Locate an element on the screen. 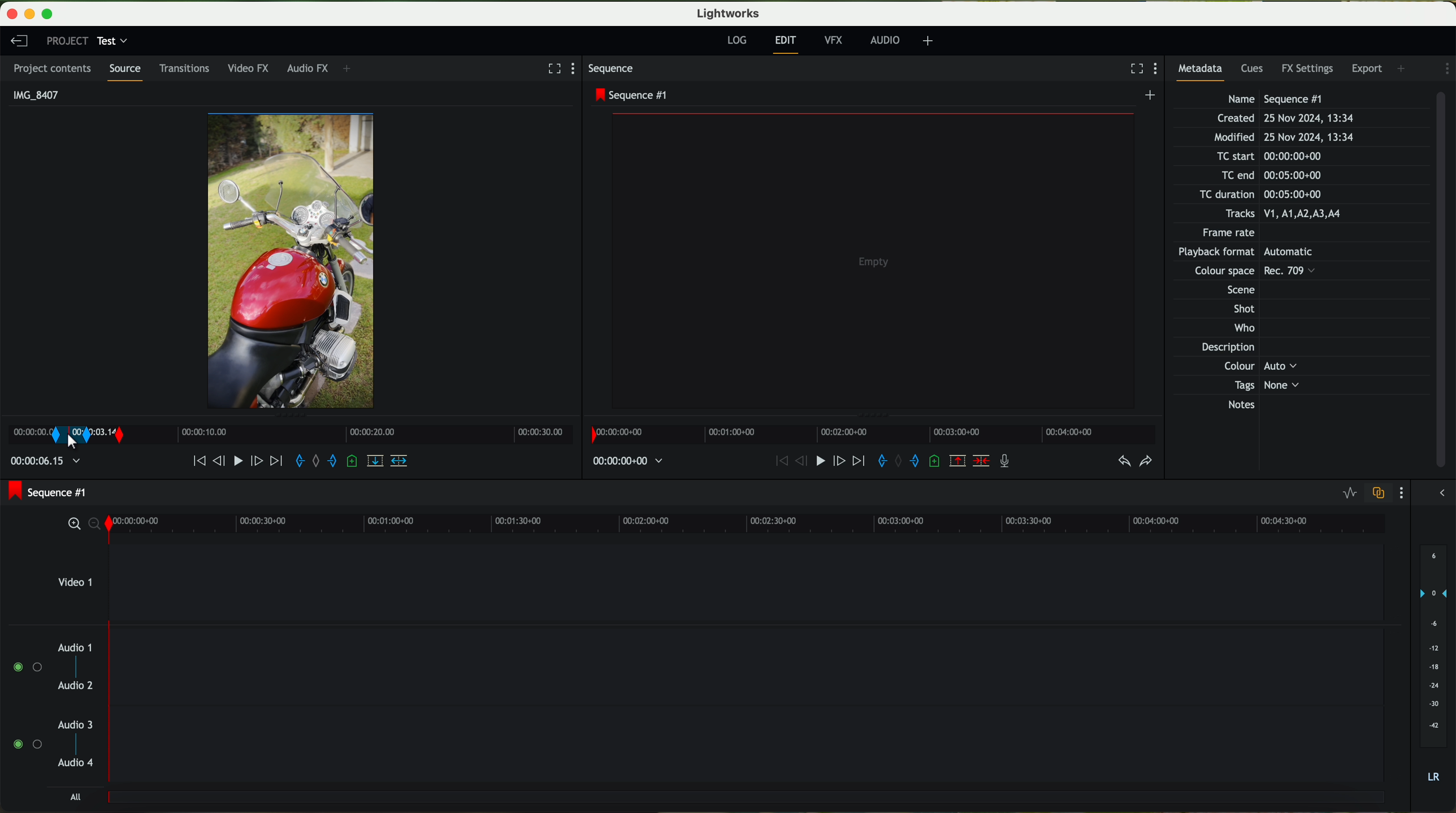 The height and width of the screenshot is (813, 1456). create a new sequence is located at coordinates (1151, 97).